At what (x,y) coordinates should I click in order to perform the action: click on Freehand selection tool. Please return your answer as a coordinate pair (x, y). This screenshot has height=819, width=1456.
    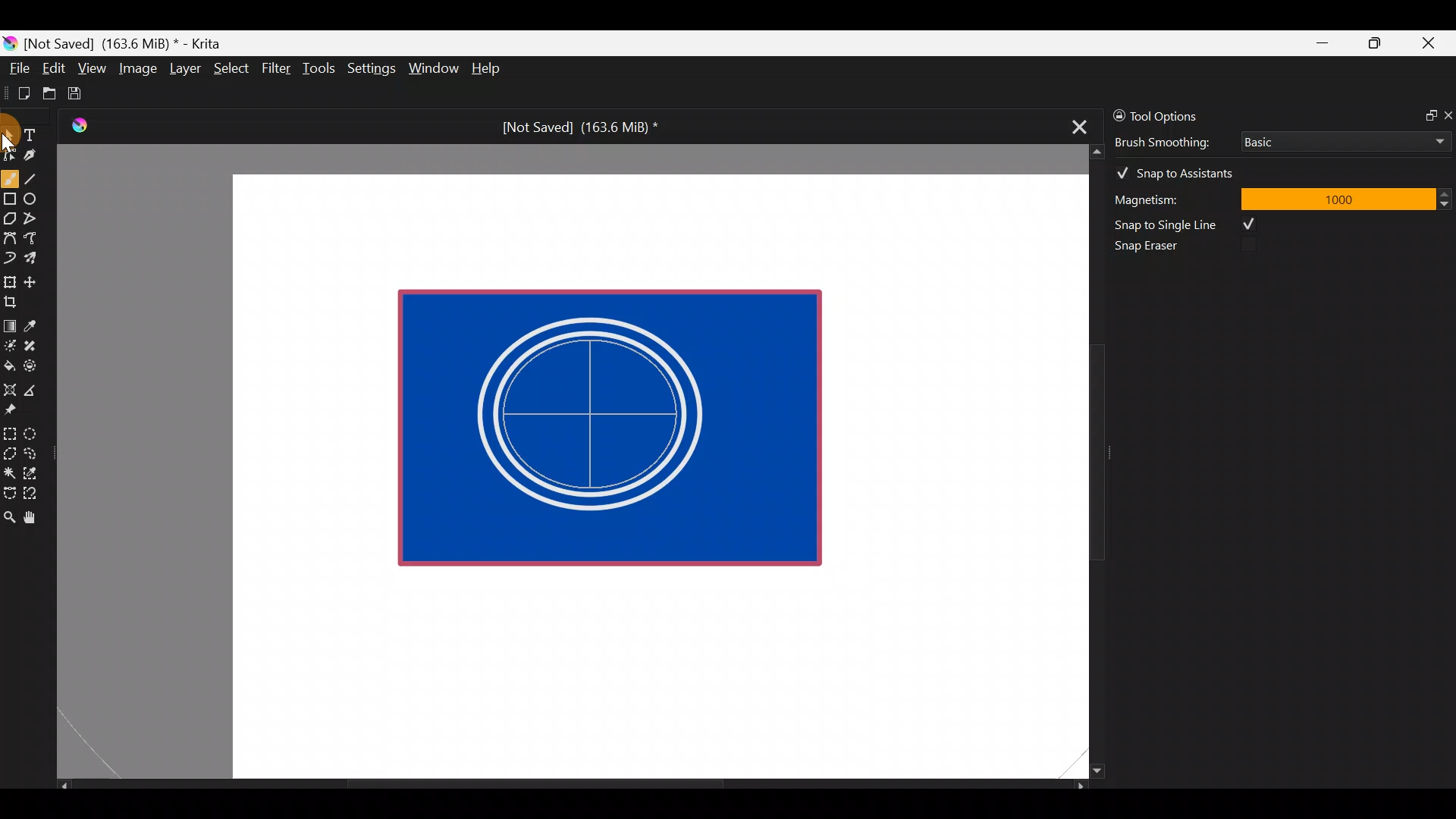
    Looking at the image, I should click on (33, 452).